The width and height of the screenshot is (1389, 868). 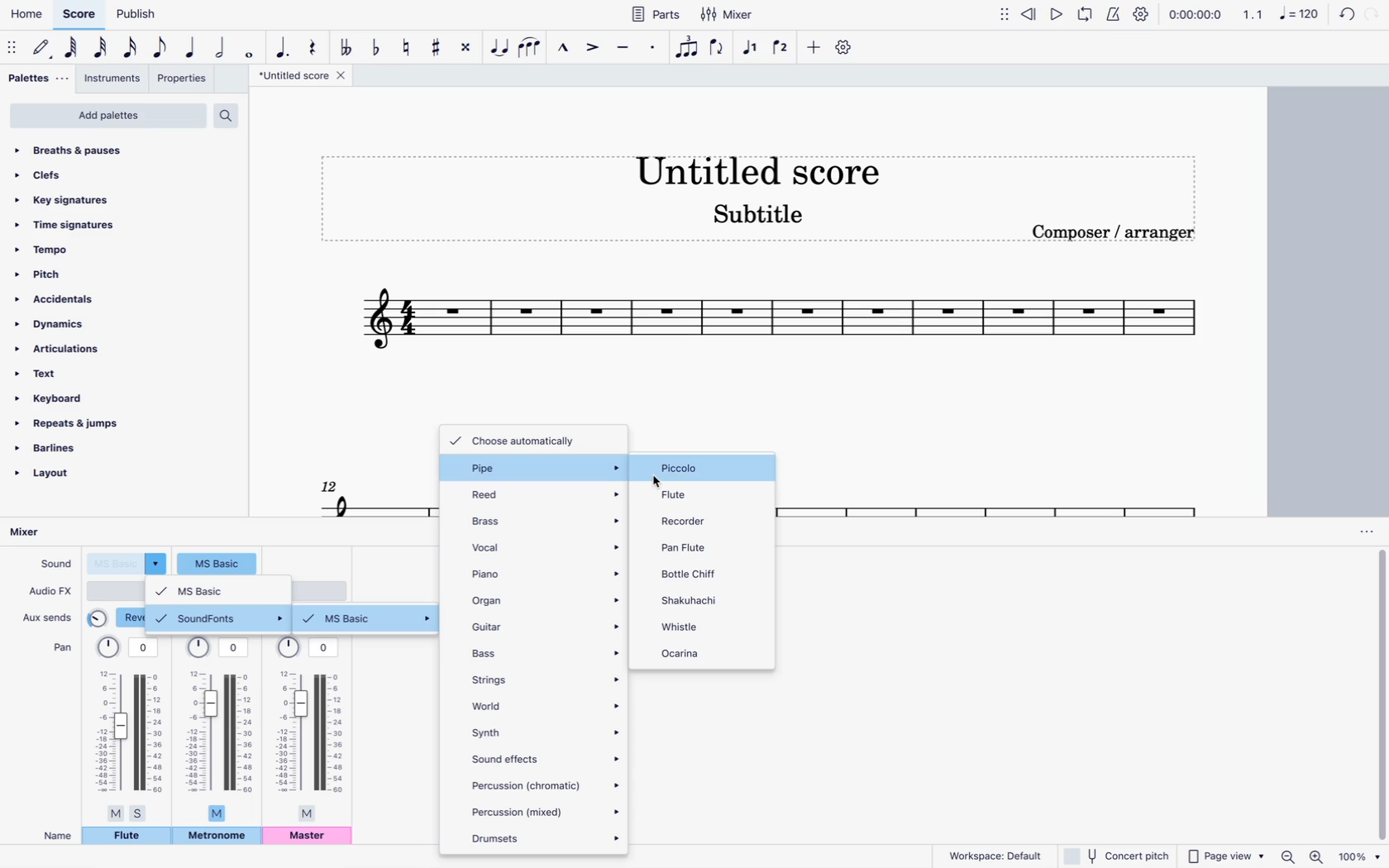 I want to click on 32nd note, so click(x=103, y=48).